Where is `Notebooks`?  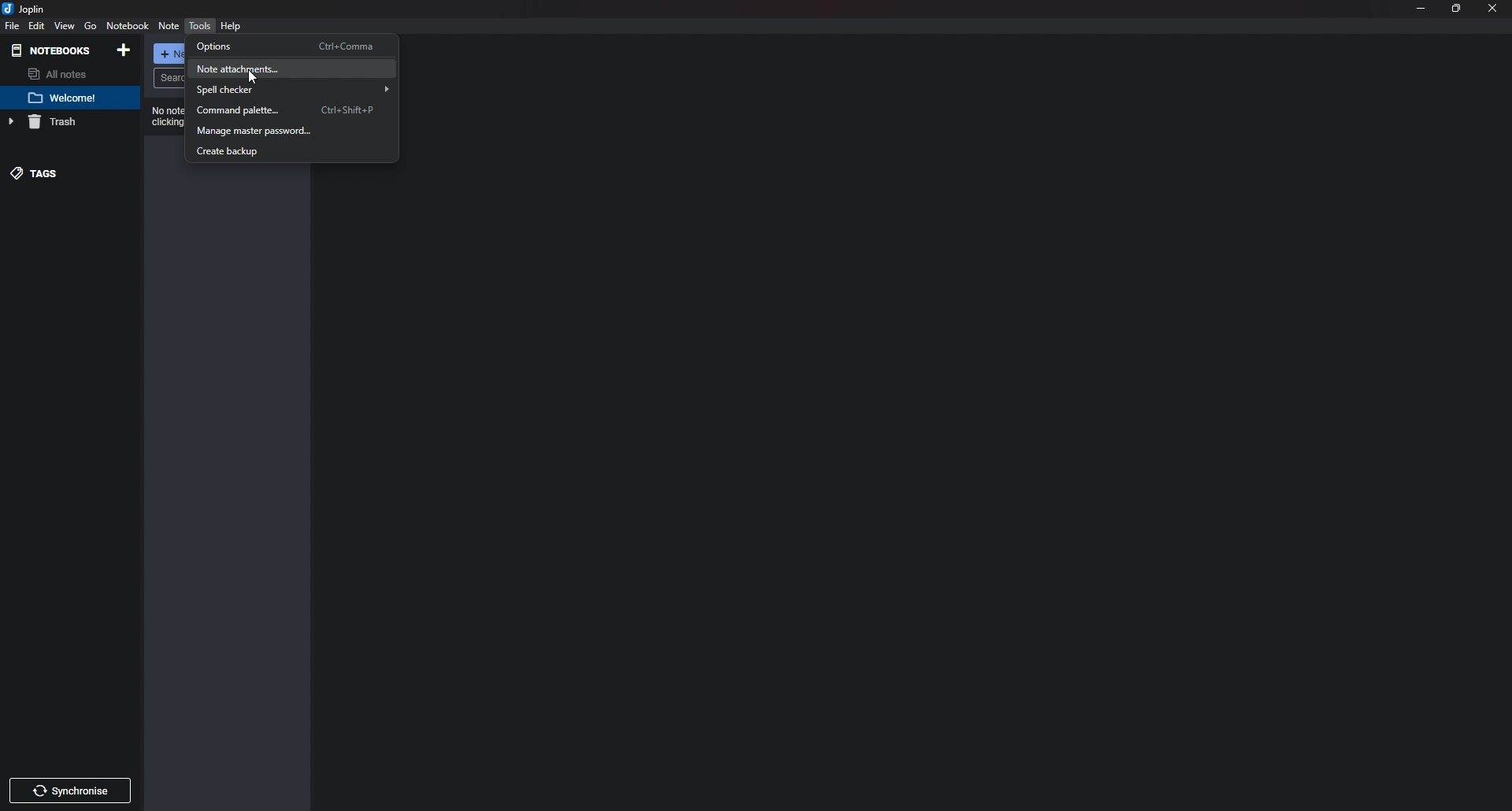 Notebooks is located at coordinates (54, 50).